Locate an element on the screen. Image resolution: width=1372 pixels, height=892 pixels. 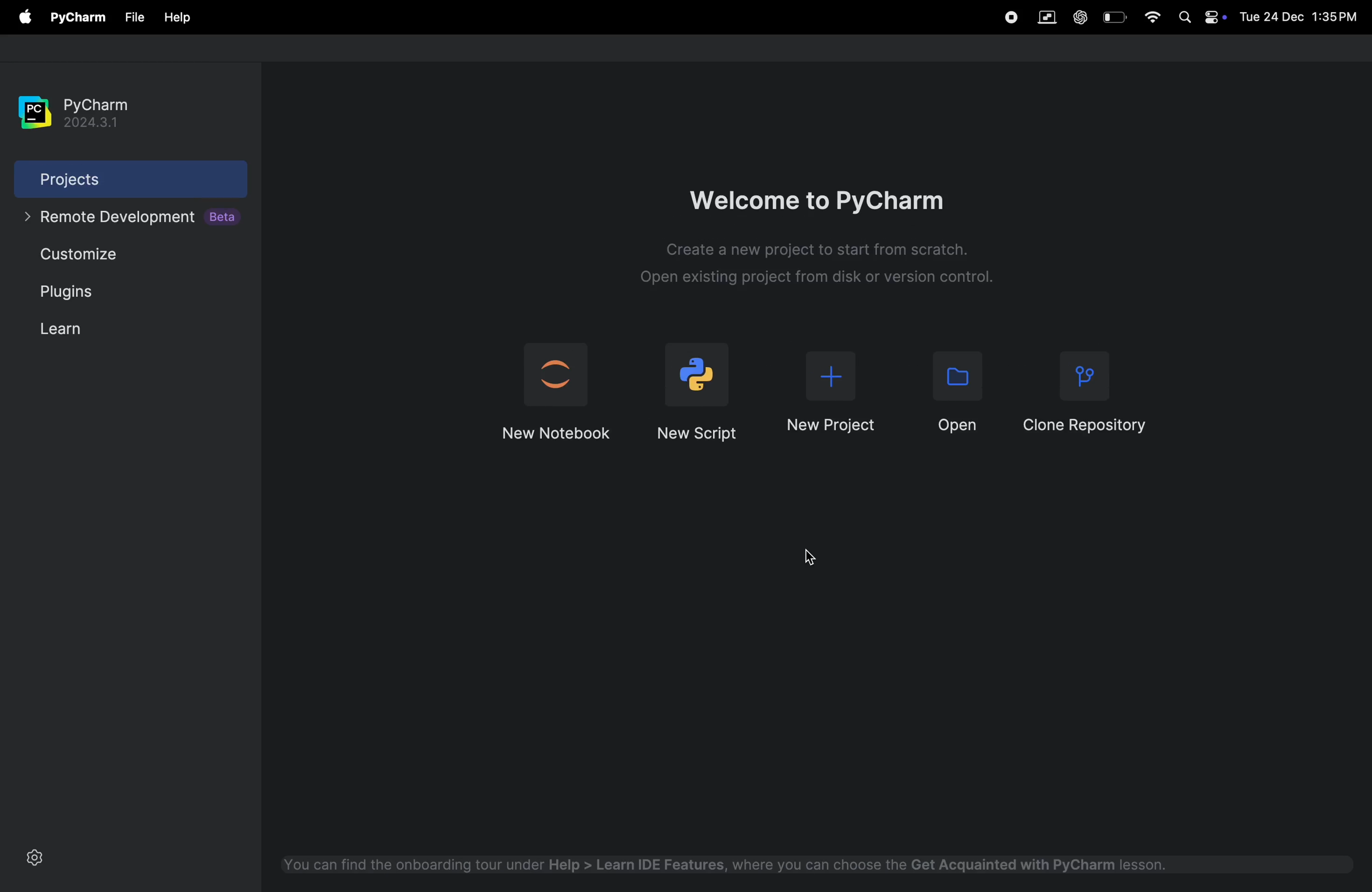
custiomize  is located at coordinates (88, 255).